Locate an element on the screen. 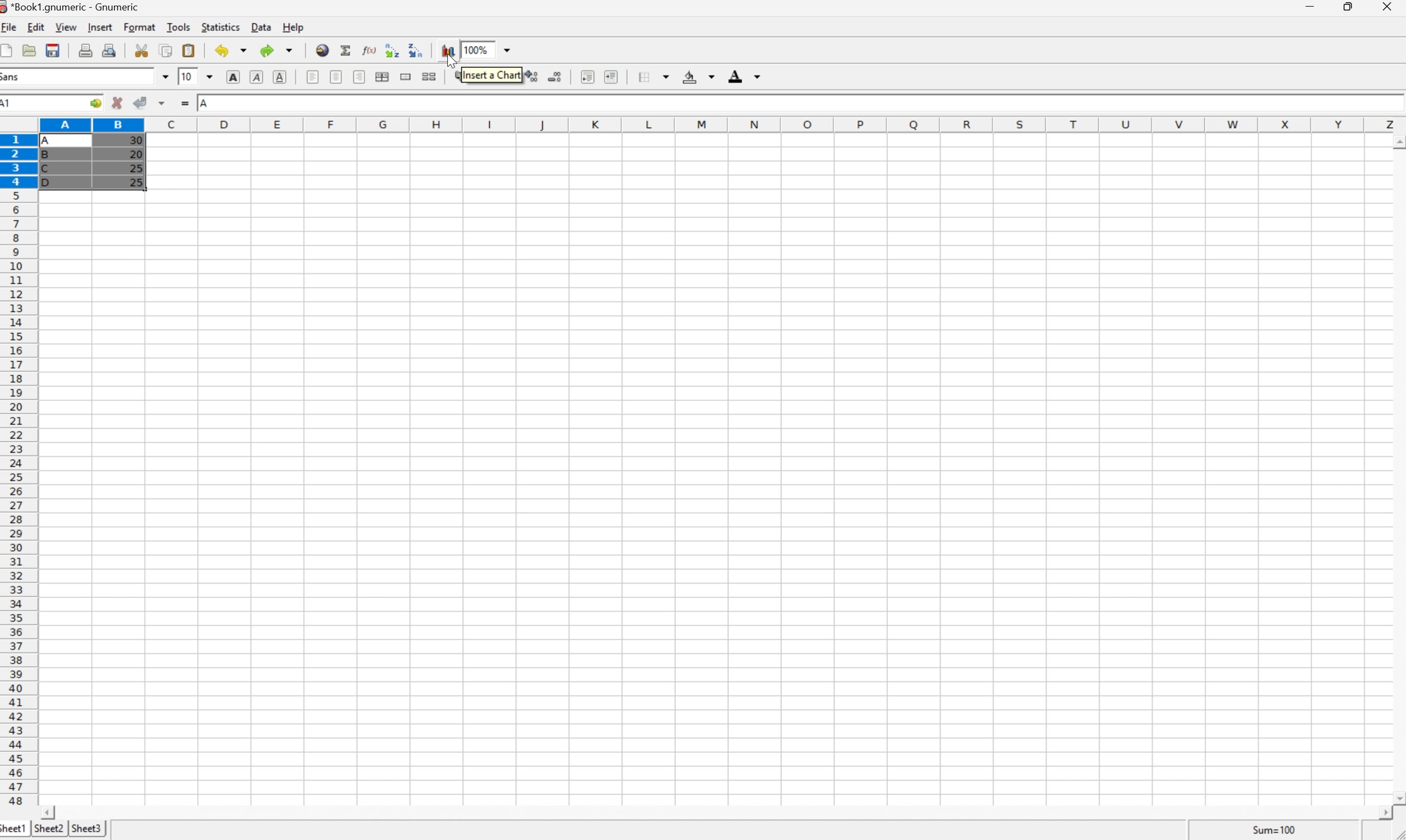 Image resolution: width=1406 pixels, height=840 pixels. Print preview is located at coordinates (110, 49).